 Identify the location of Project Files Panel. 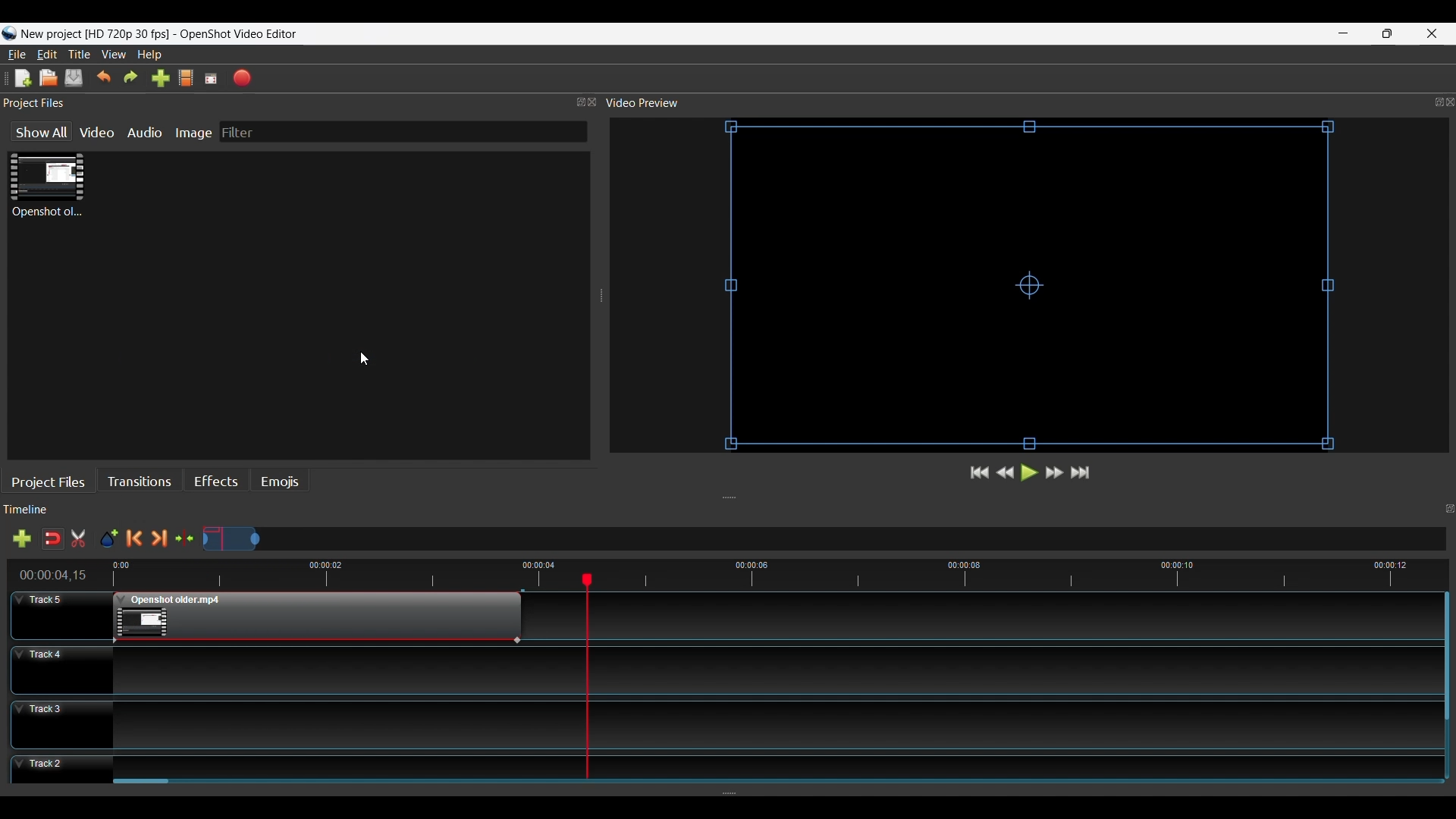
(300, 103).